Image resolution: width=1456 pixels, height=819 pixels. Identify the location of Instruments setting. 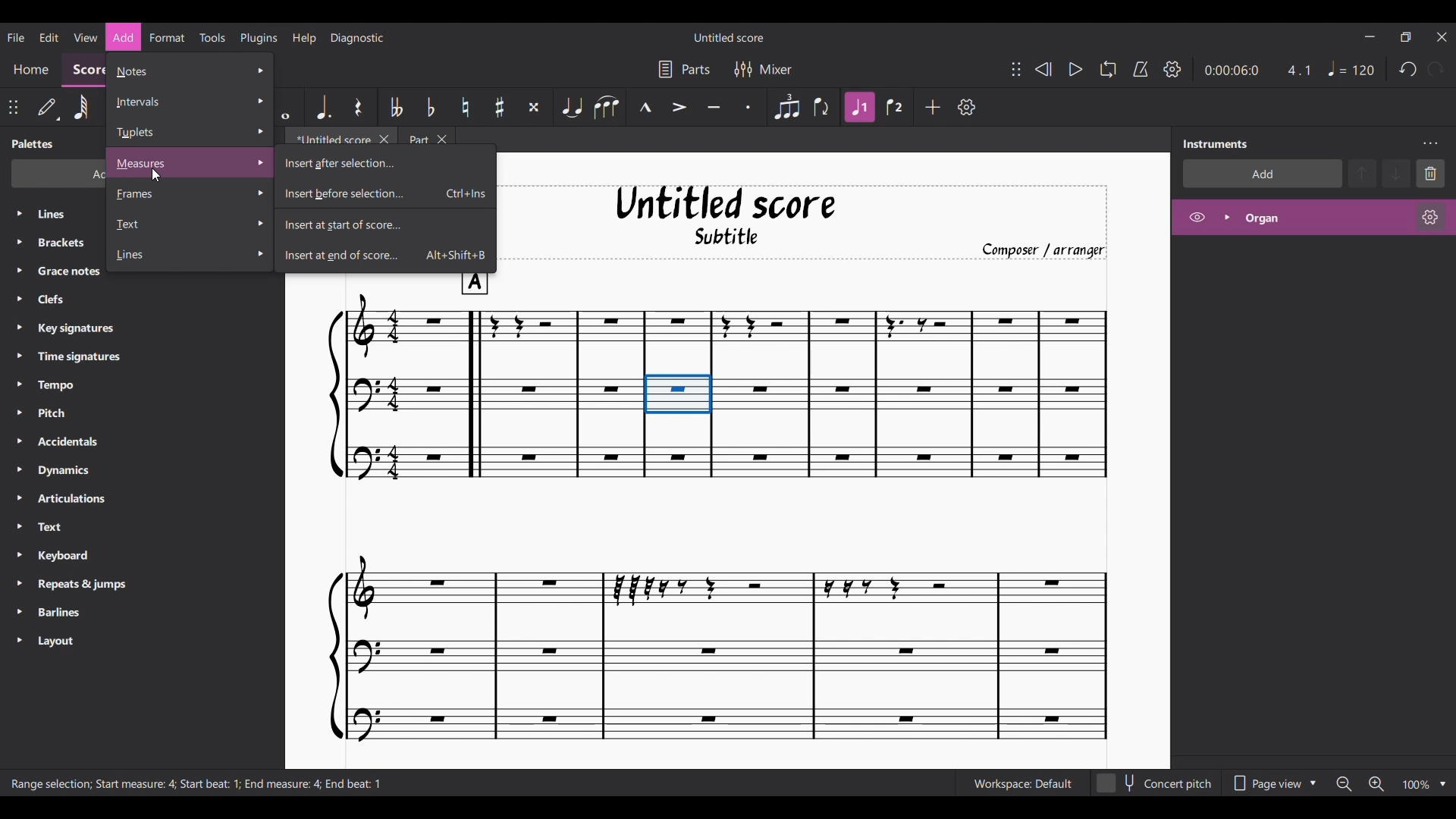
(1430, 143).